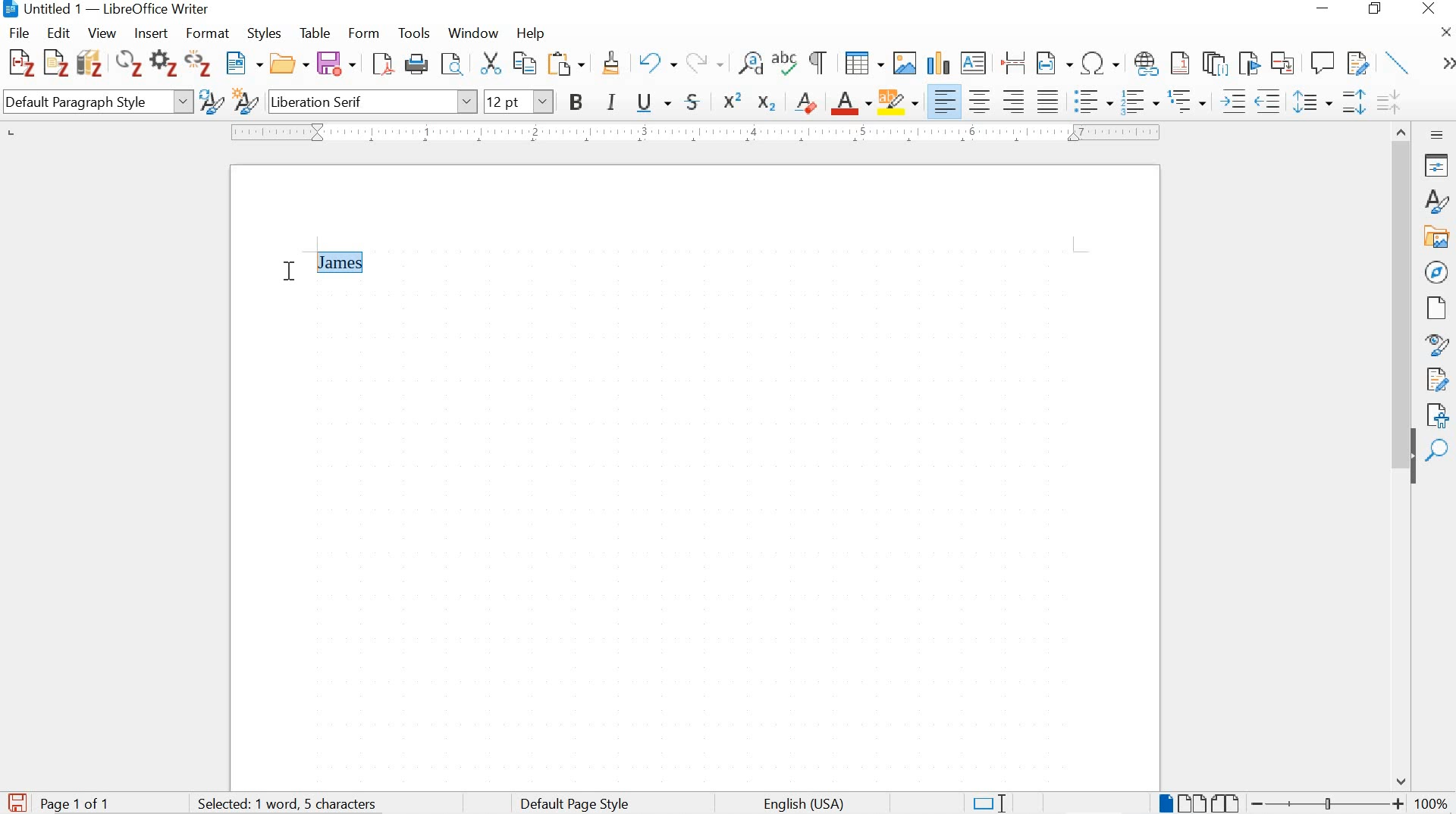  I want to click on redo, so click(704, 61).